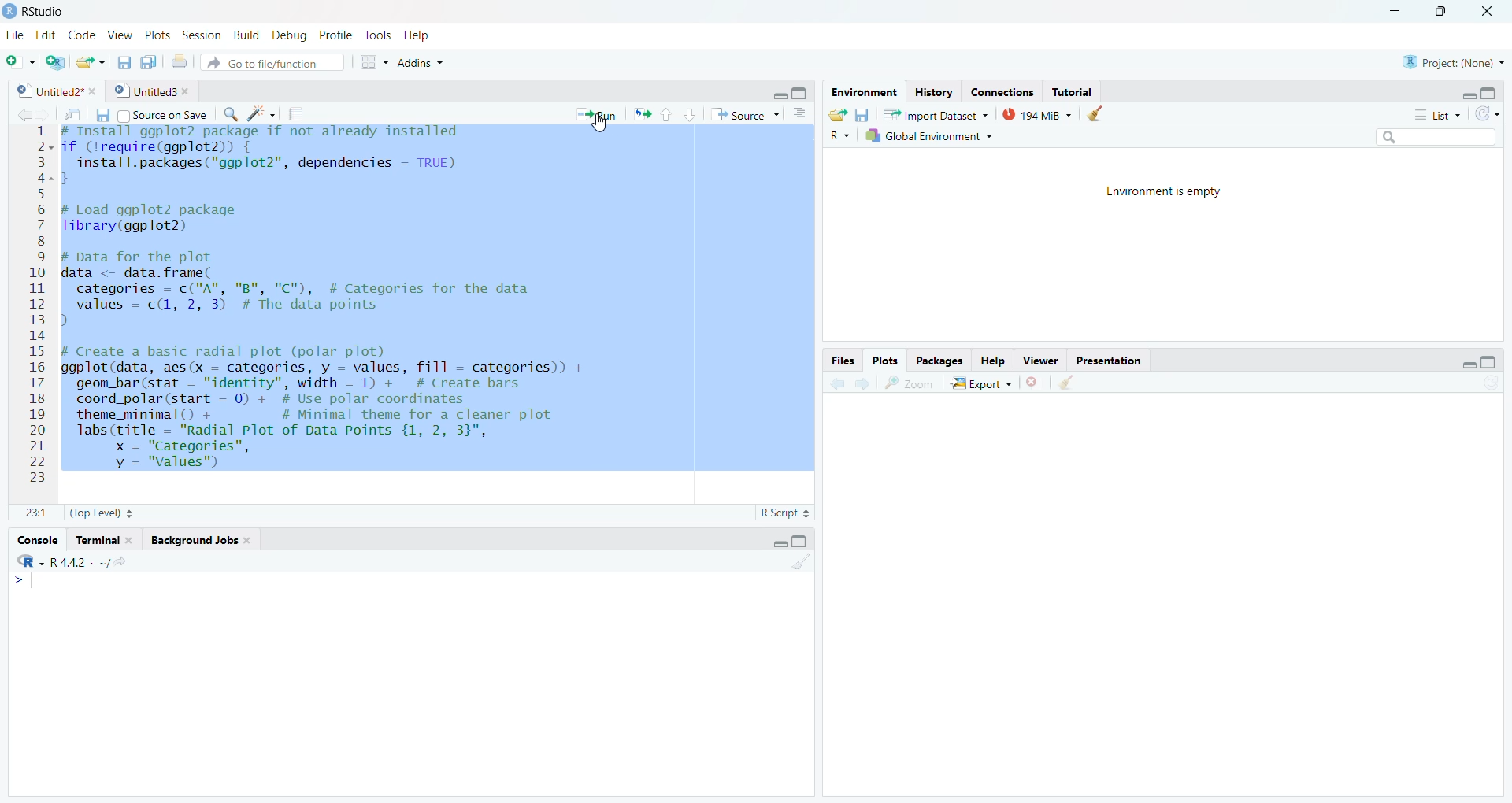 The height and width of the screenshot is (803, 1512). I want to click on move back, so click(22, 114).